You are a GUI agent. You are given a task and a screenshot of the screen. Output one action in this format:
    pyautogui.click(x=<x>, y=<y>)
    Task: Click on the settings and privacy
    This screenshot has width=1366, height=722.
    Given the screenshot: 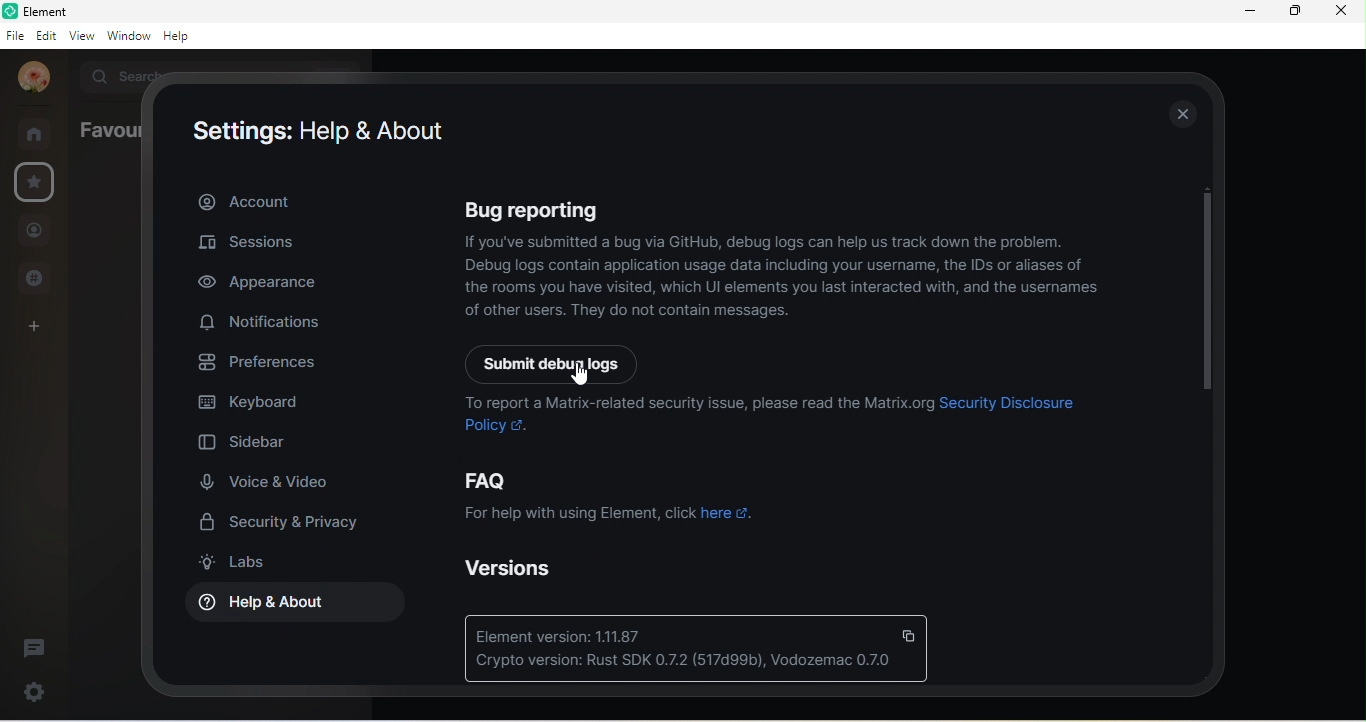 What is the action you would take?
    pyautogui.click(x=284, y=524)
    